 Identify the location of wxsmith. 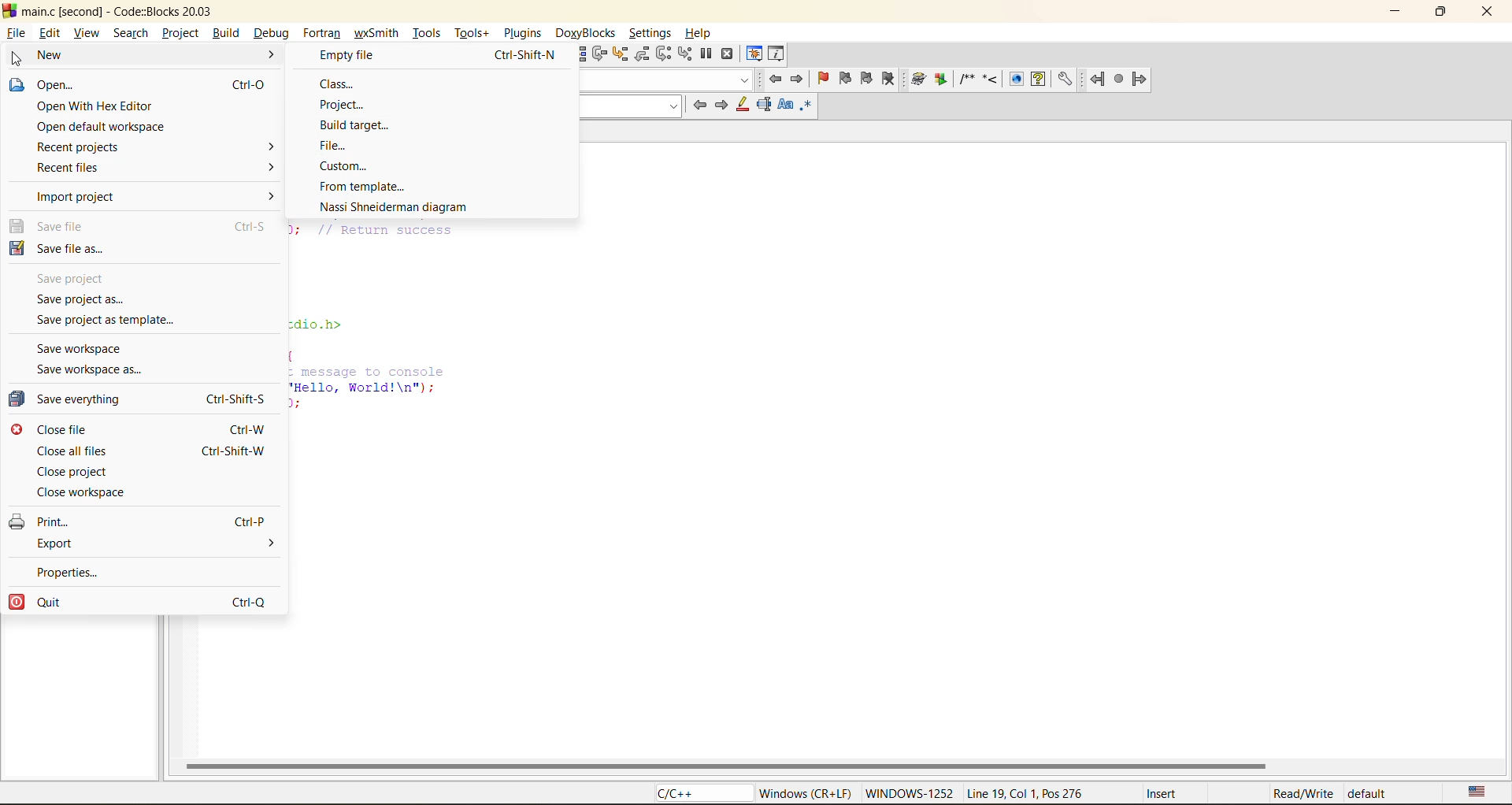
(378, 35).